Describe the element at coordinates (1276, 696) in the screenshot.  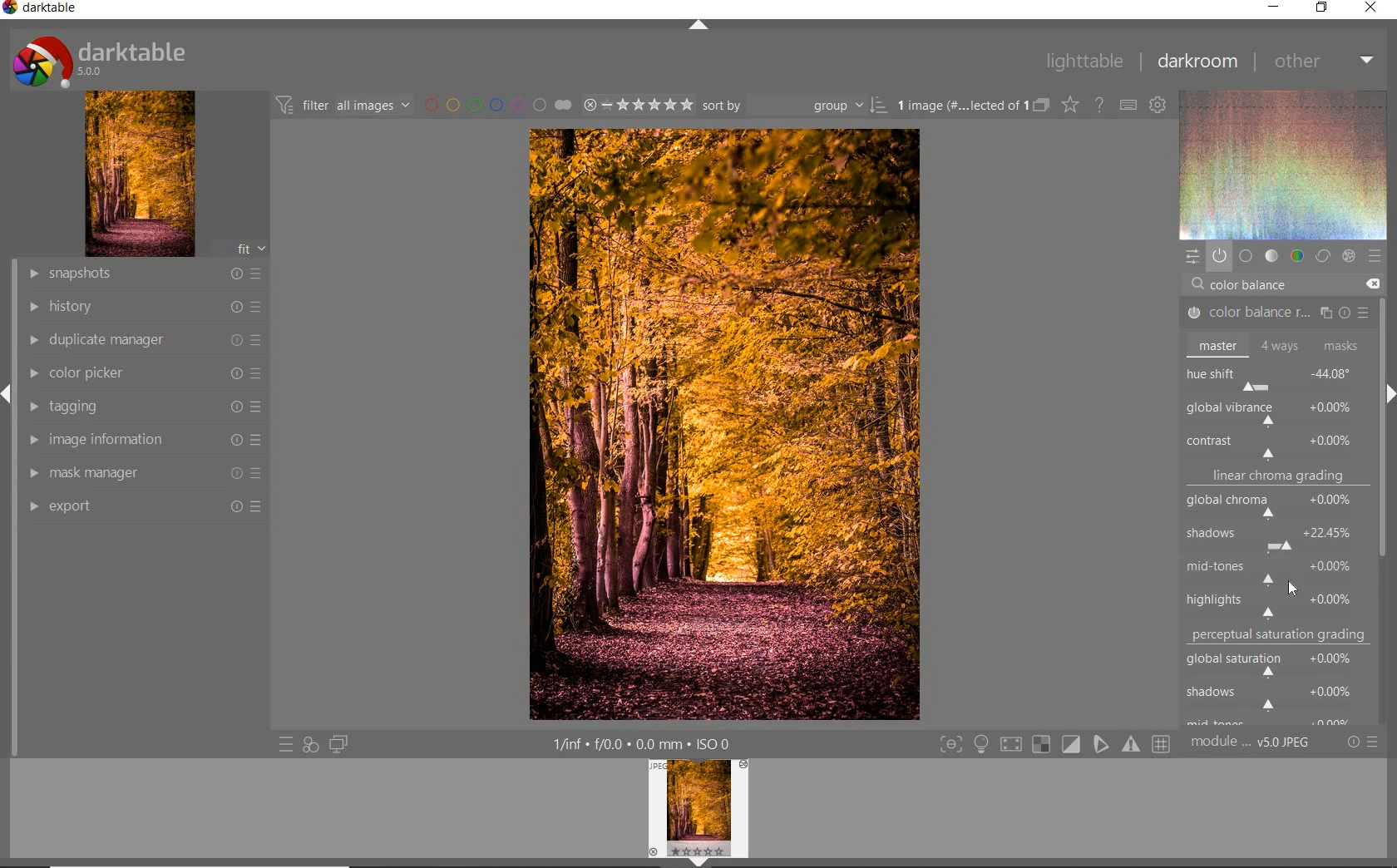
I see `shadows` at that location.